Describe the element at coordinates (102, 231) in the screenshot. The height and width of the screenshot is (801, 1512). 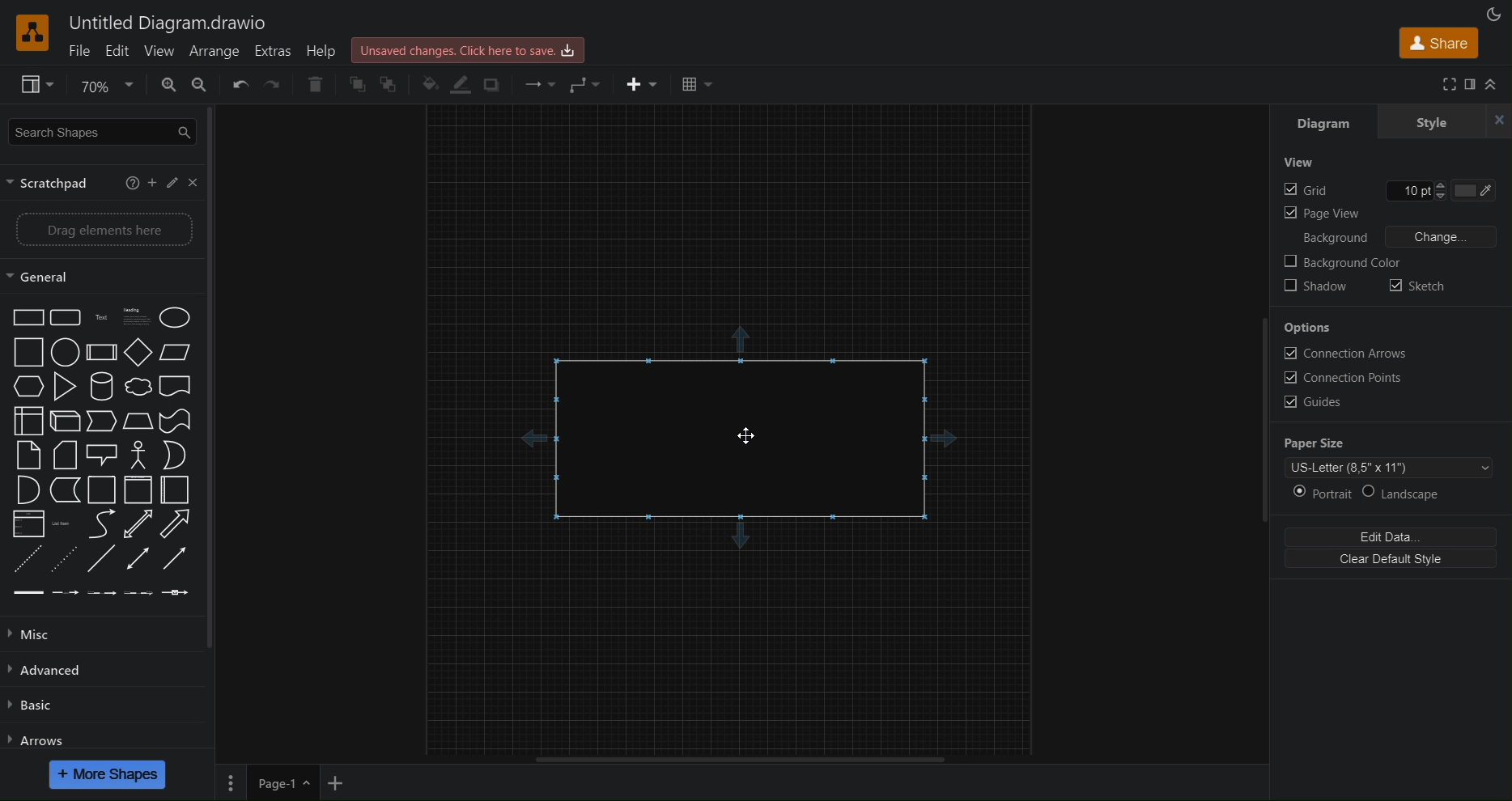
I see `Drag elements here` at that location.